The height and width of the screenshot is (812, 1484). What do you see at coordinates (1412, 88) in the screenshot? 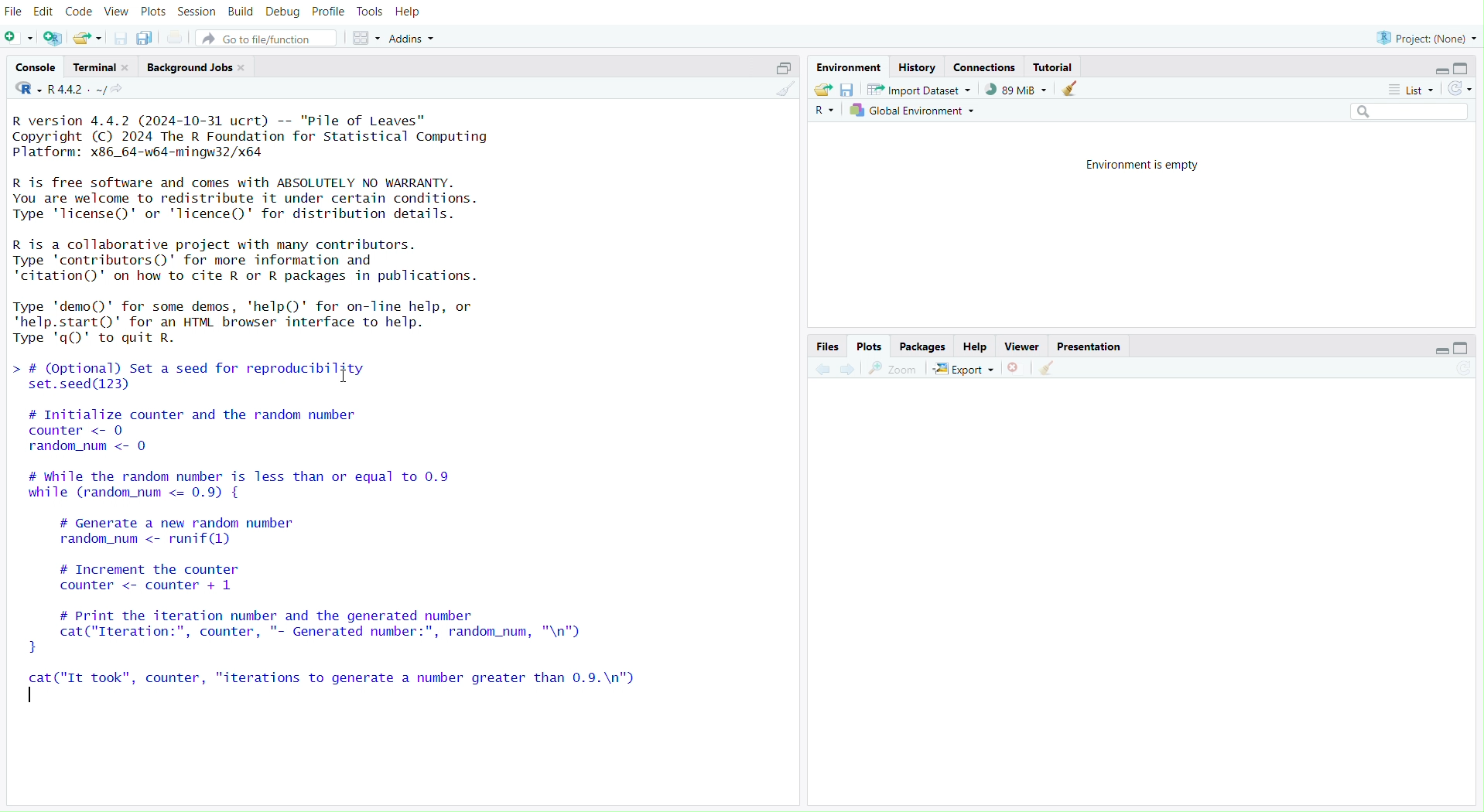
I see `List` at bounding box center [1412, 88].